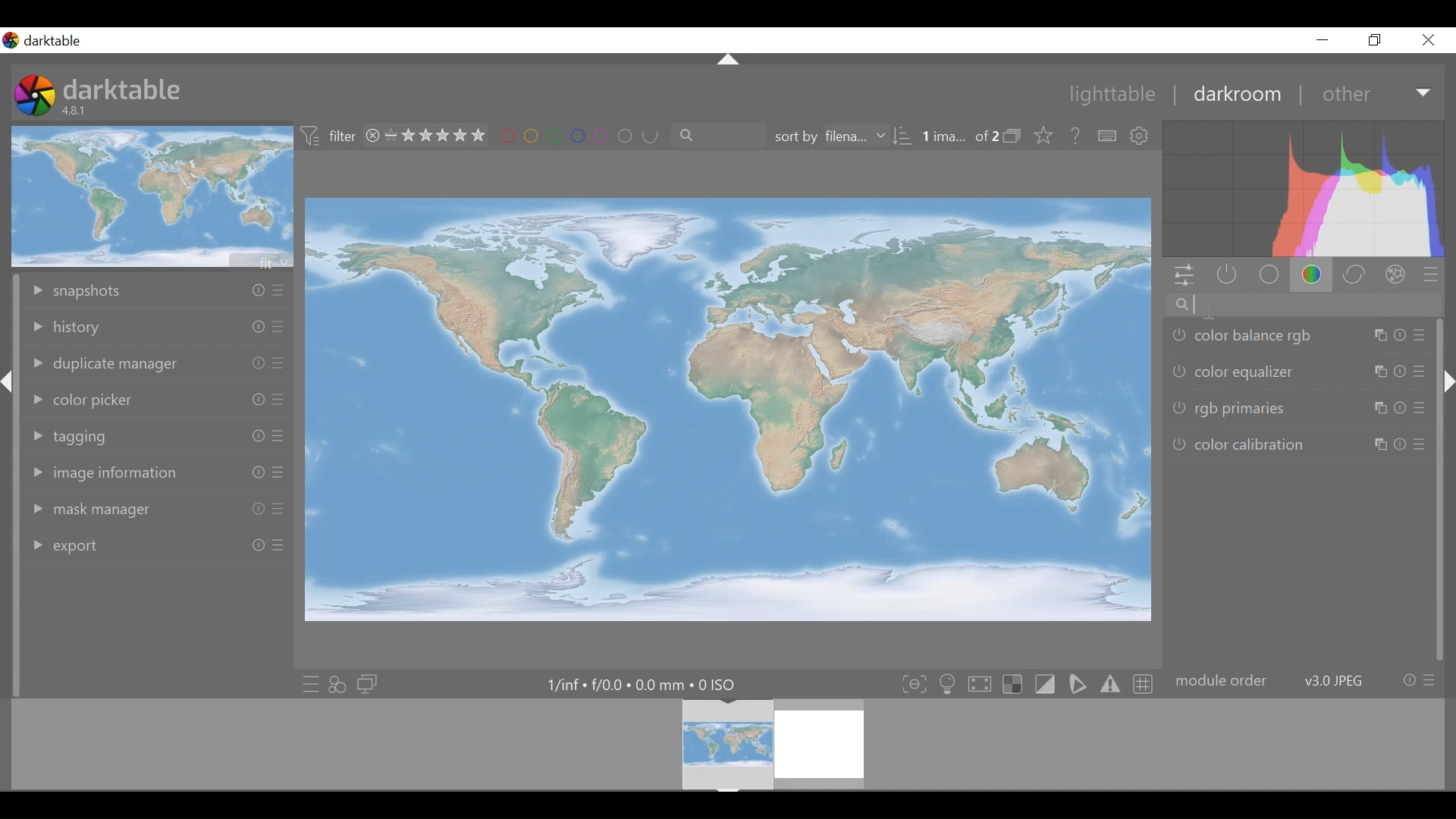 Image resolution: width=1456 pixels, height=819 pixels. What do you see at coordinates (156, 475) in the screenshot?
I see `image information` at bounding box center [156, 475].